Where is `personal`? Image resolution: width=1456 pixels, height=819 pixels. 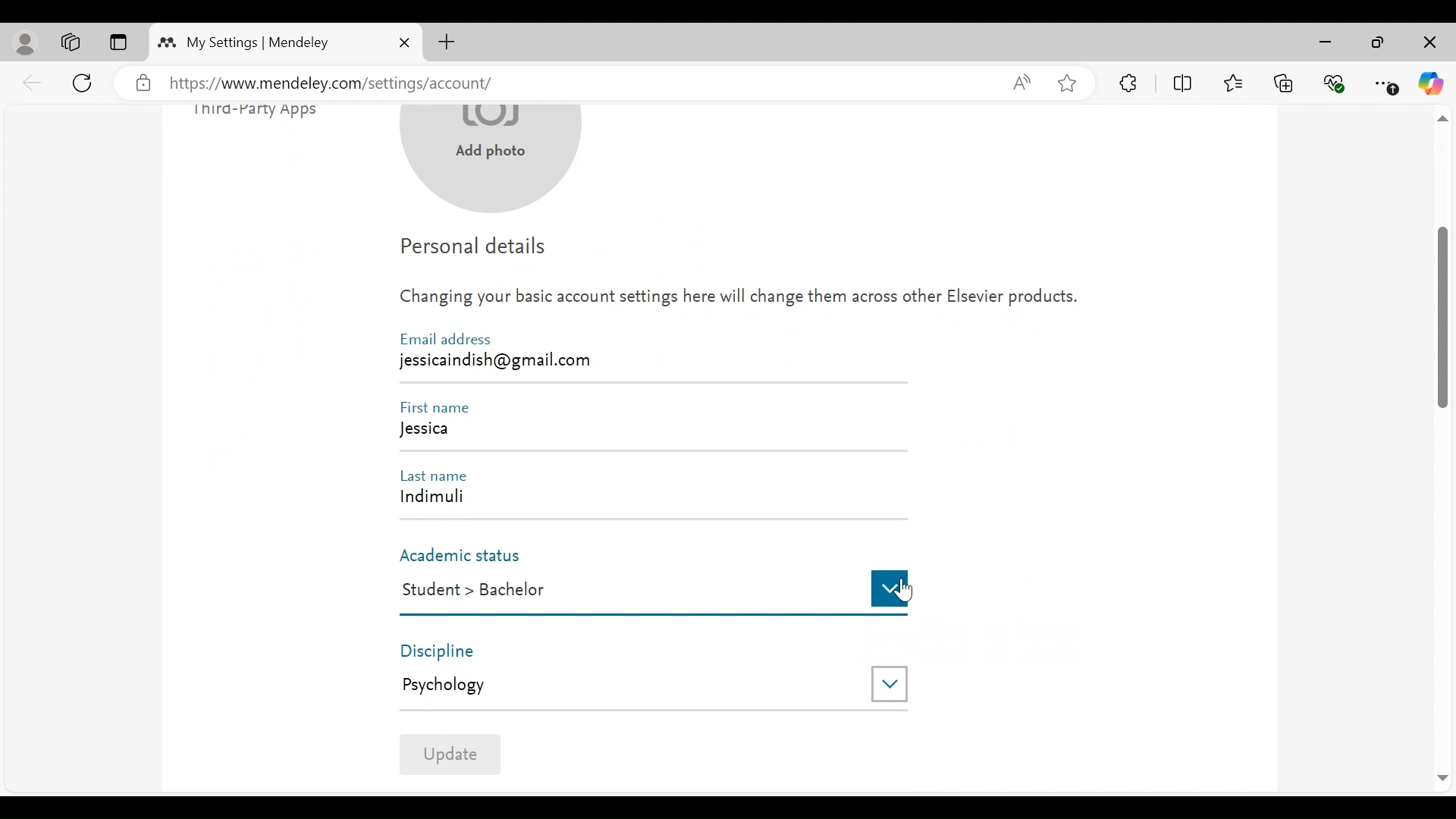
personal is located at coordinates (27, 43).